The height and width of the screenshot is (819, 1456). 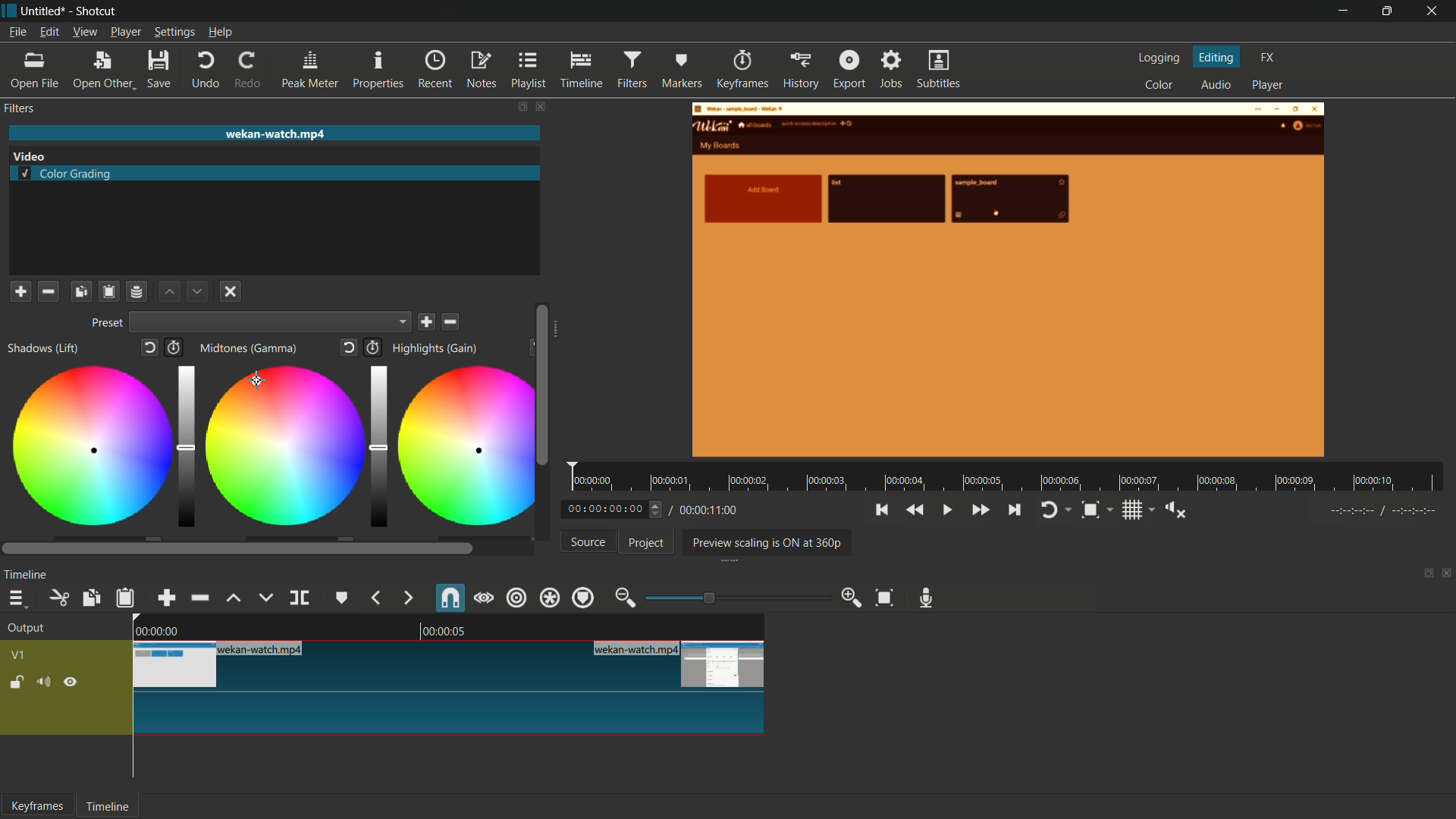 I want to click on peak meter, so click(x=312, y=70).